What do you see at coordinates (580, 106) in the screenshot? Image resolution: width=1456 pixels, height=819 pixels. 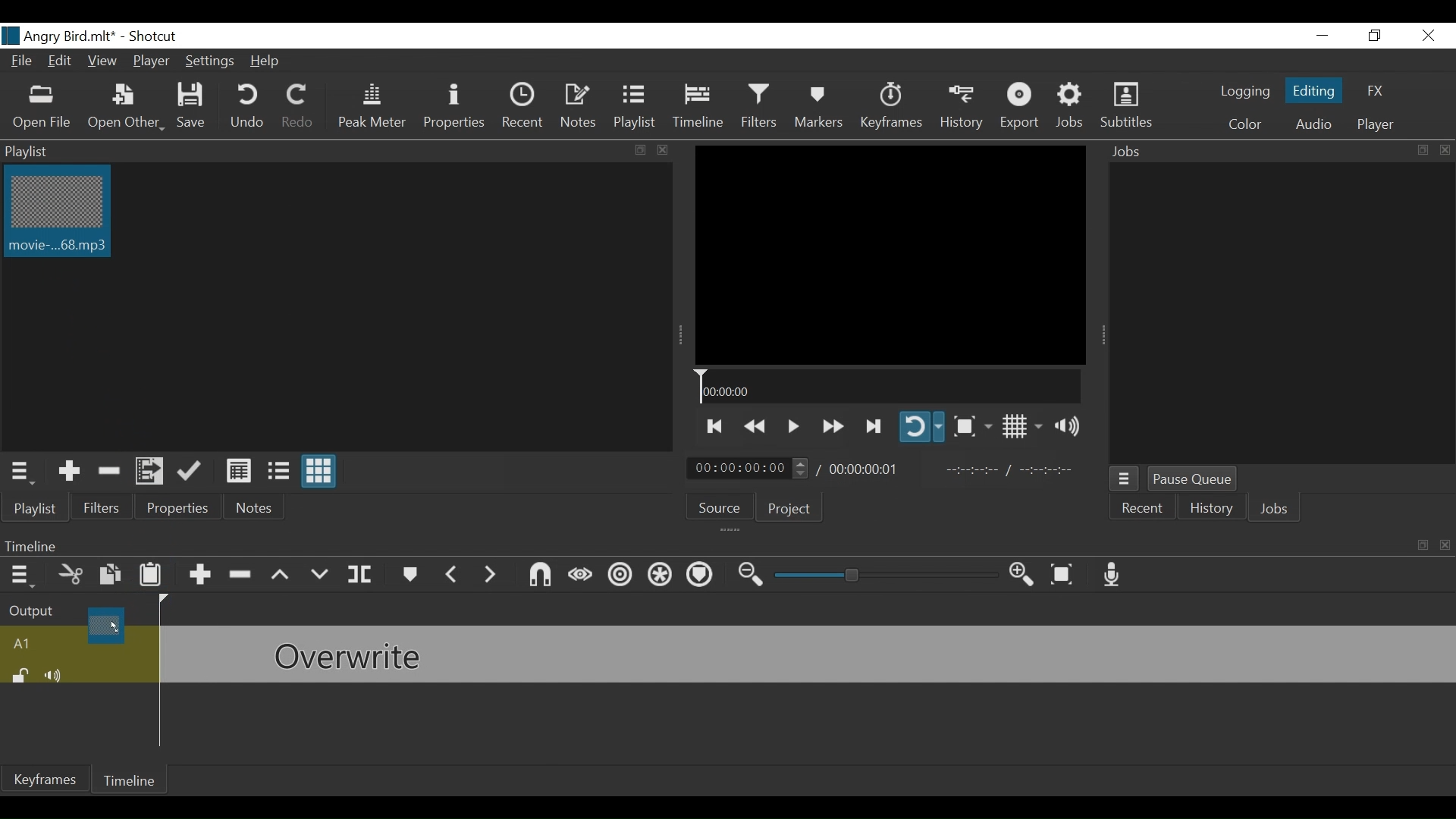 I see `Notes` at bounding box center [580, 106].